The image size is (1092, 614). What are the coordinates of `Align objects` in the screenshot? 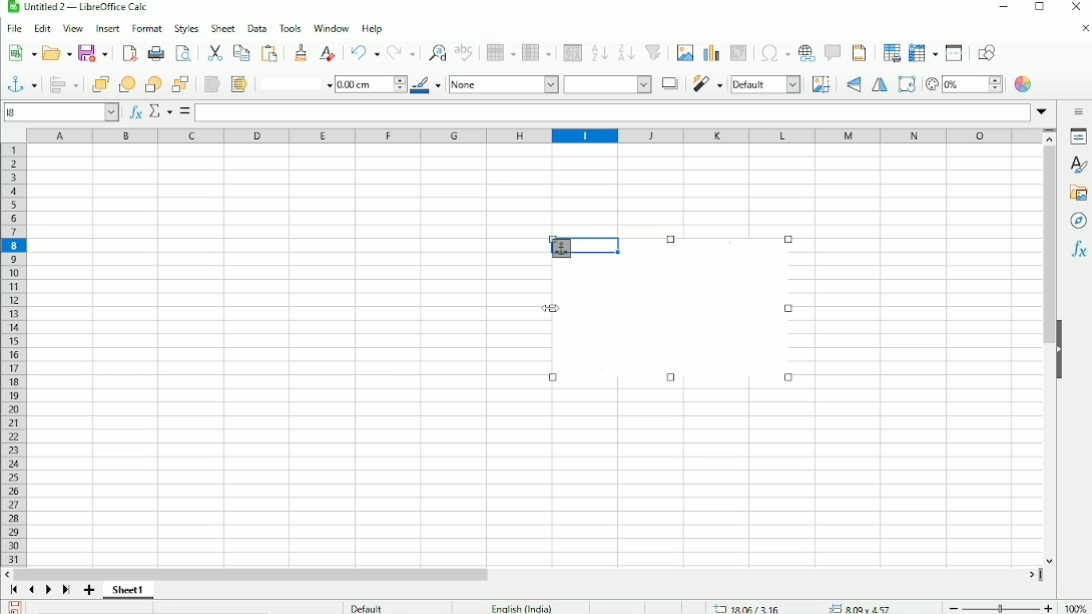 It's located at (63, 84).